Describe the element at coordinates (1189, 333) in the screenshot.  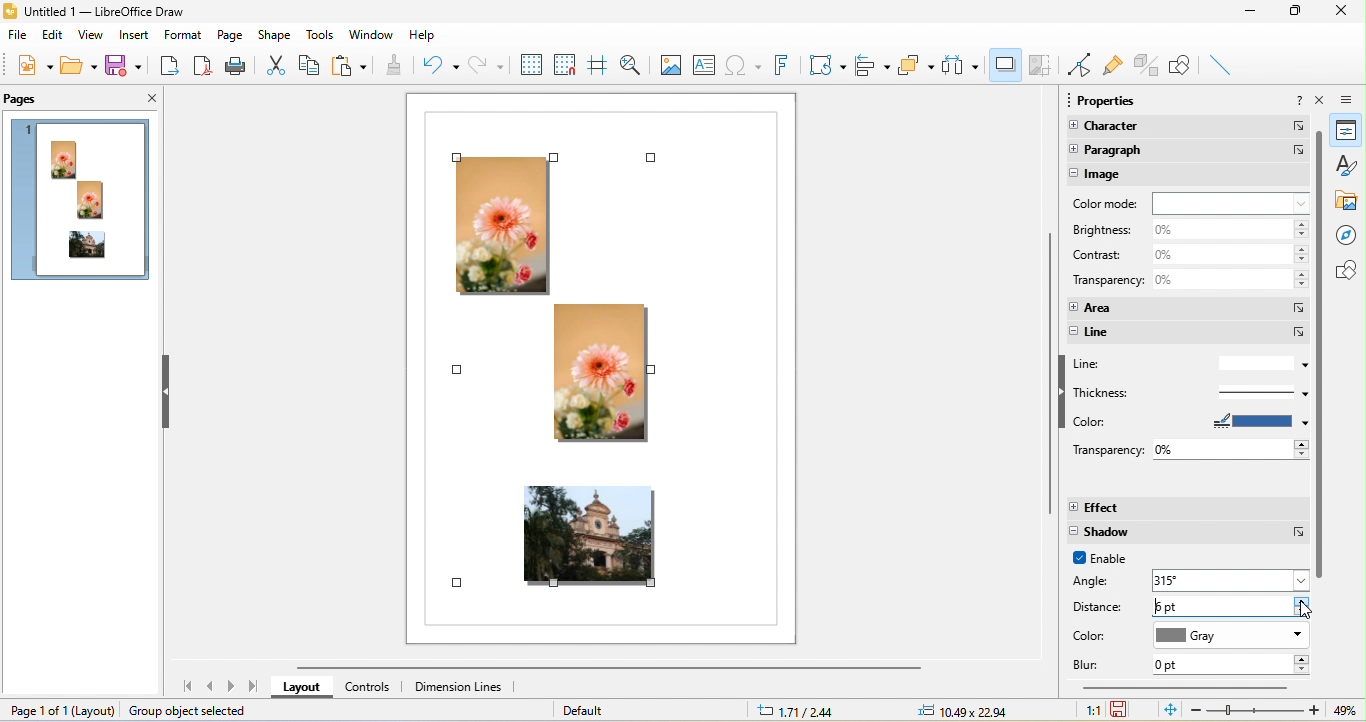
I see `line` at that location.